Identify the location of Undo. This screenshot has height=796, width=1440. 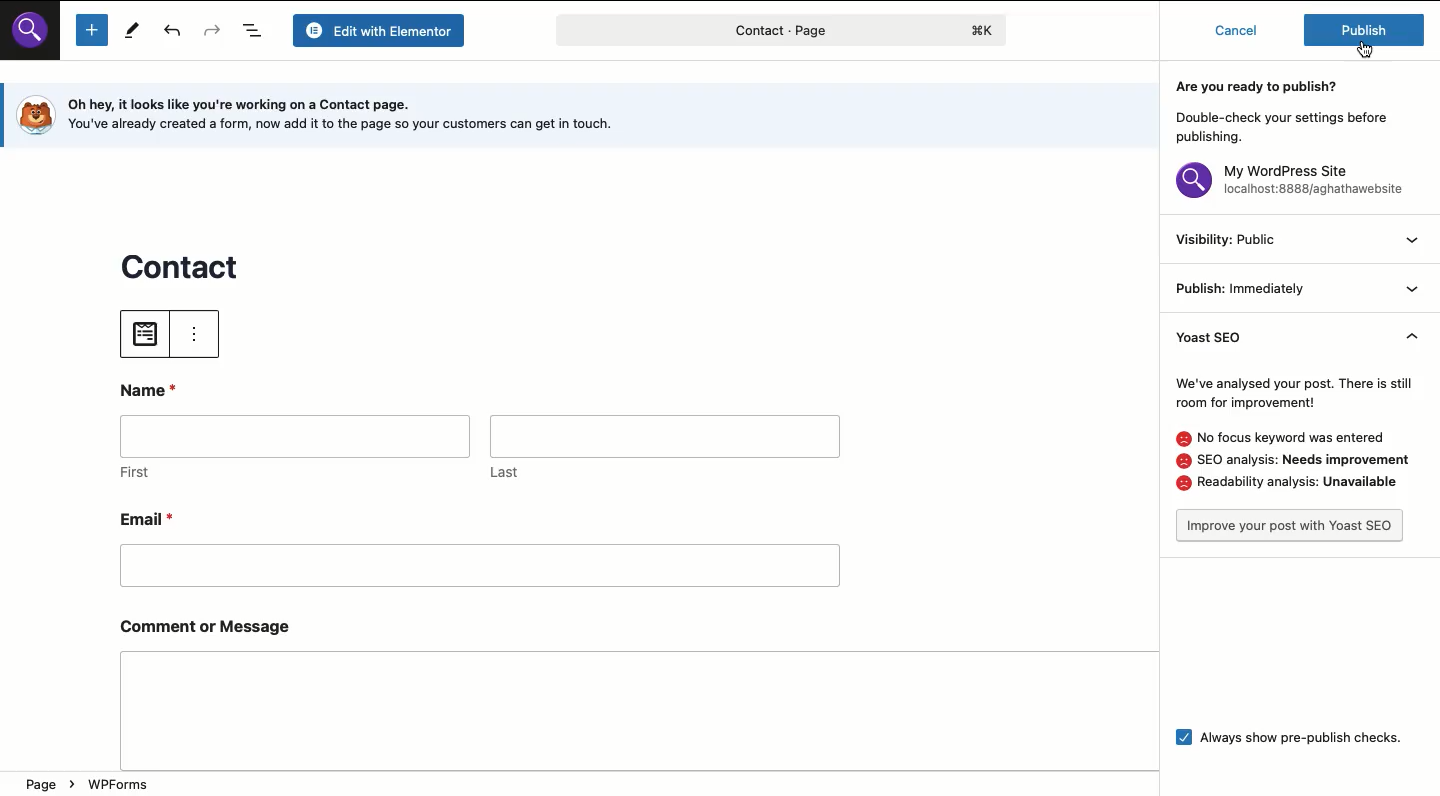
(174, 33).